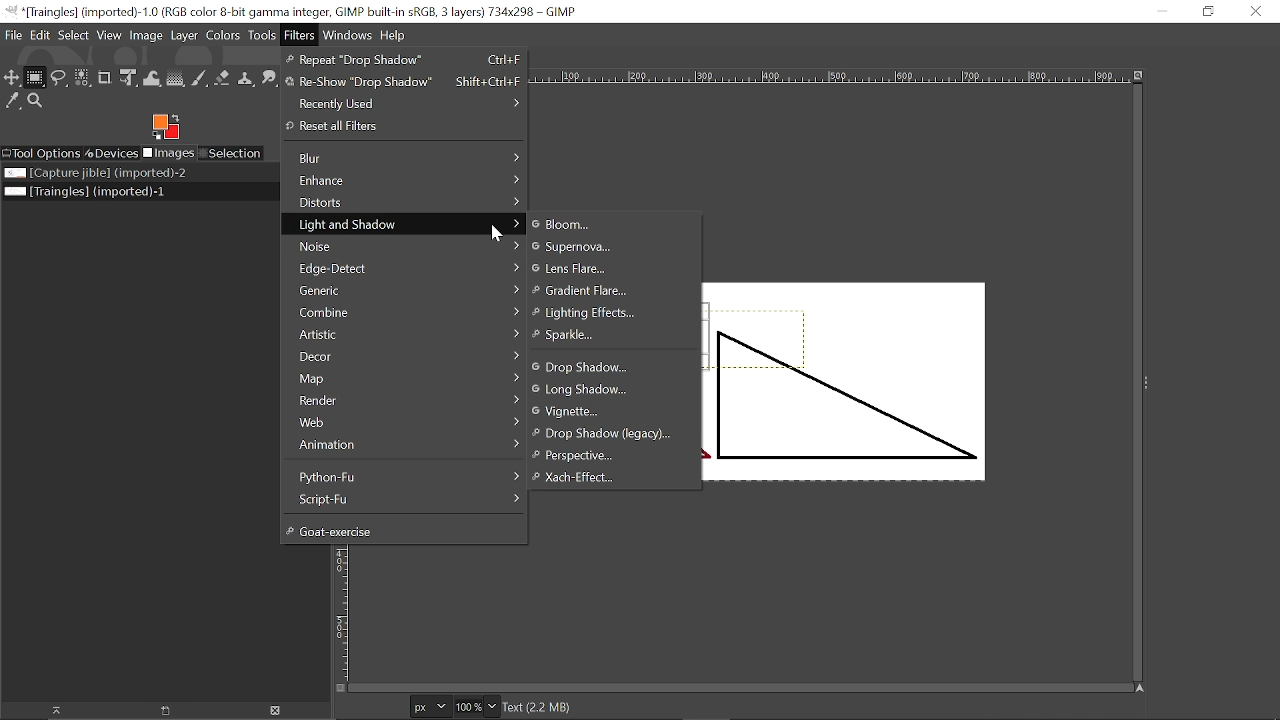 The image size is (1280, 720). I want to click on Current zoom, so click(468, 706).